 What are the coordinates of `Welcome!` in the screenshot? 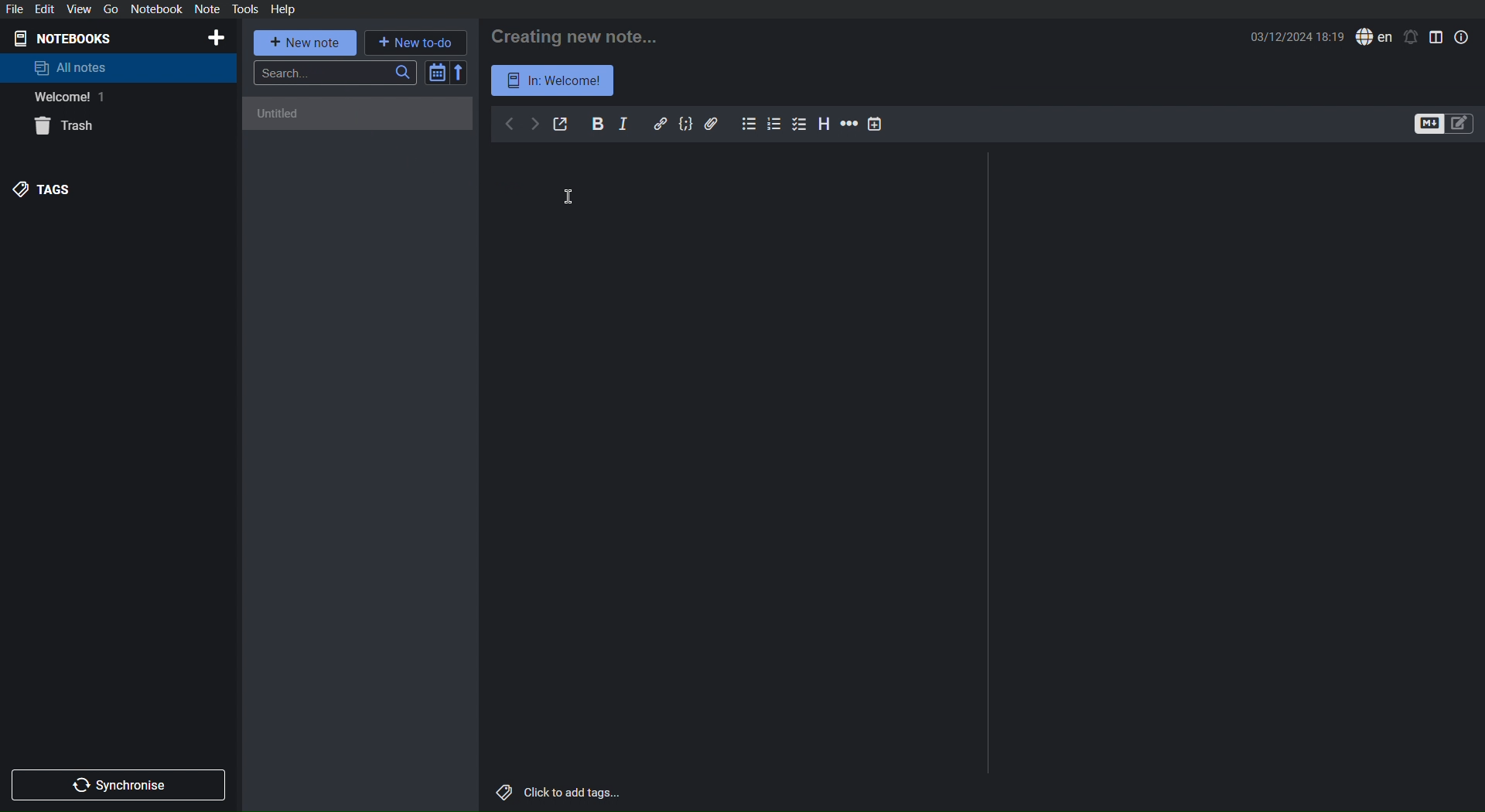 It's located at (65, 97).